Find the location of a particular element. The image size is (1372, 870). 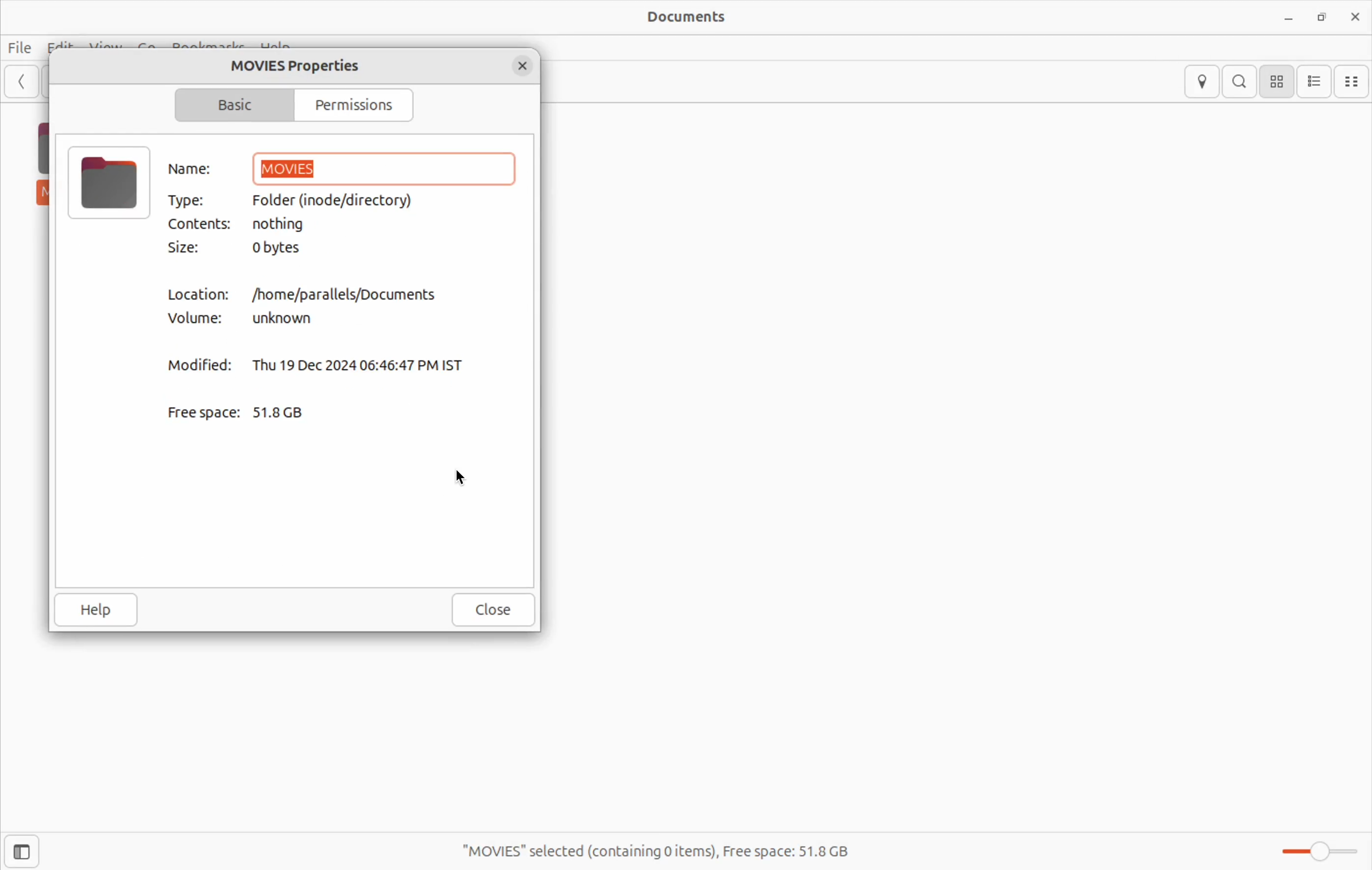

nothing is located at coordinates (293, 224).